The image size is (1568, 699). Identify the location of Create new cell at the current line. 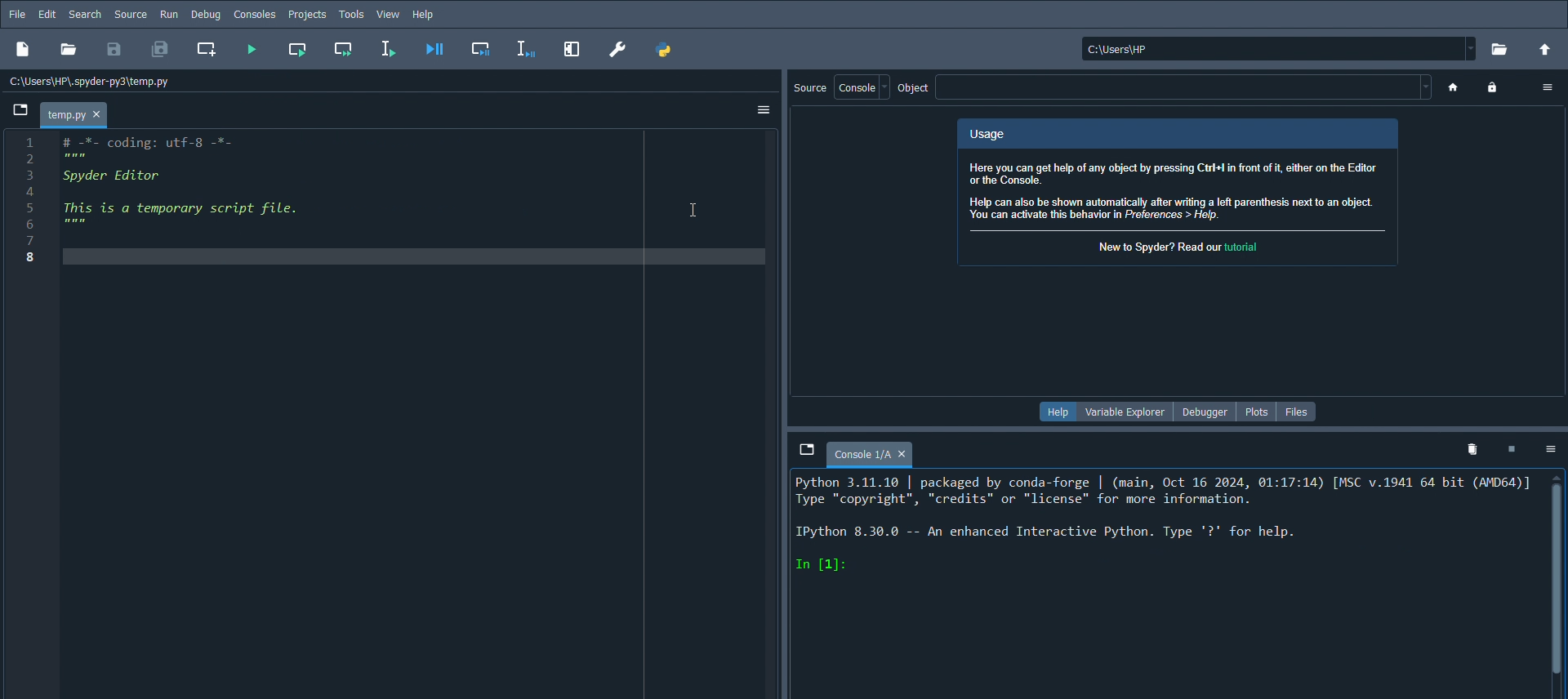
(207, 49).